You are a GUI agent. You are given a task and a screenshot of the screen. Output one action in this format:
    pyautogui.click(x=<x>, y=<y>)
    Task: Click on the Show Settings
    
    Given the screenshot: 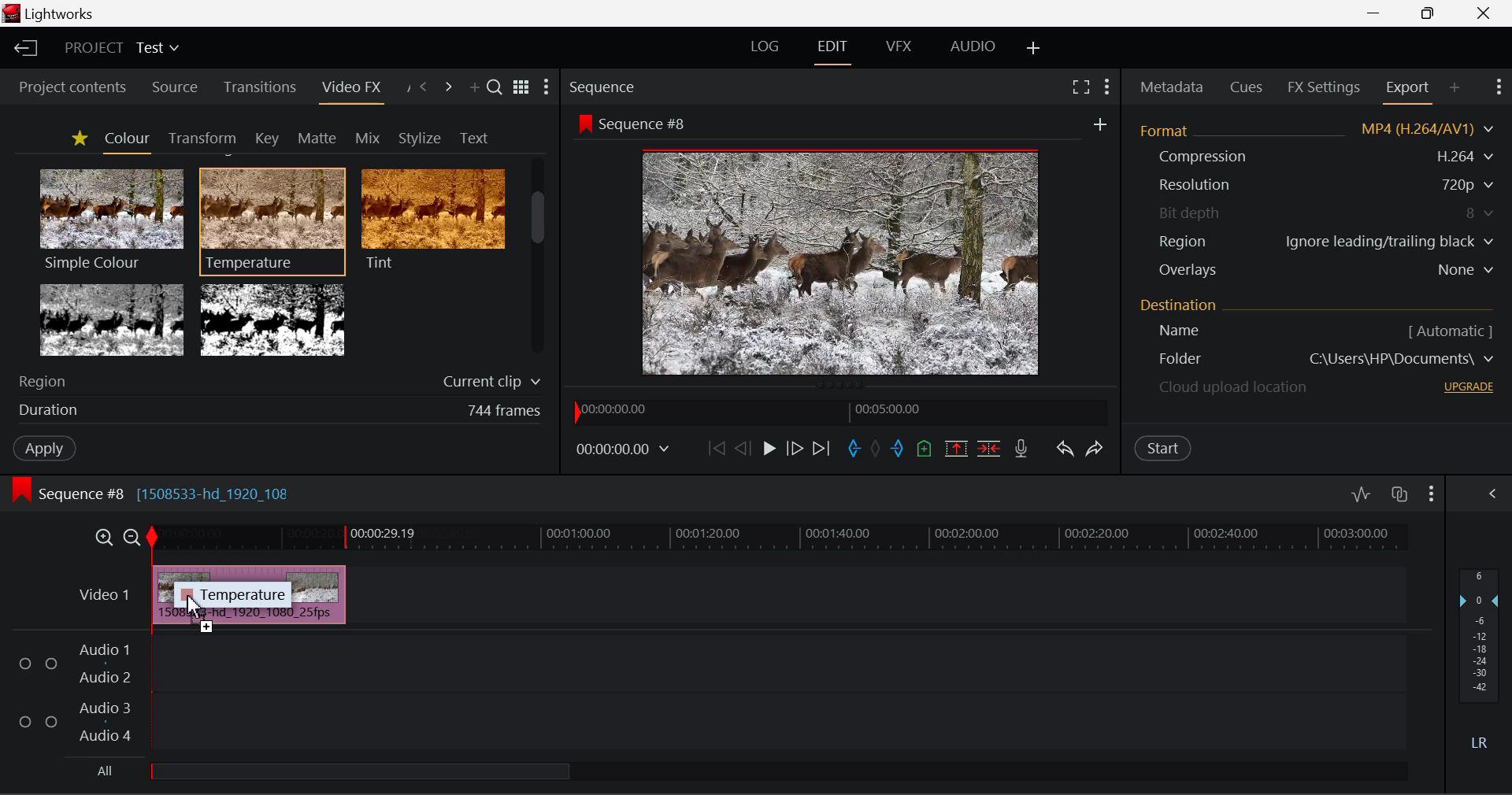 What is the action you would take?
    pyautogui.click(x=1106, y=88)
    